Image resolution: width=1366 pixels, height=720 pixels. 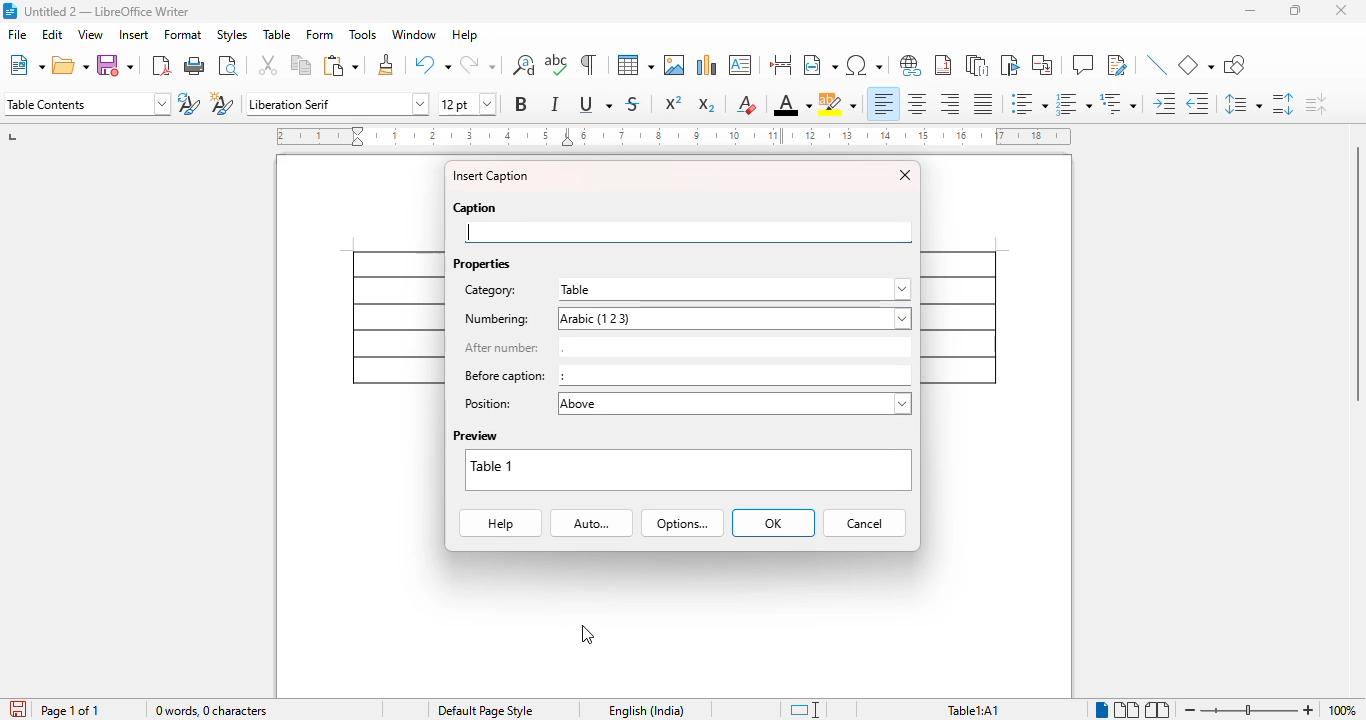 I want to click on underline, so click(x=595, y=103).